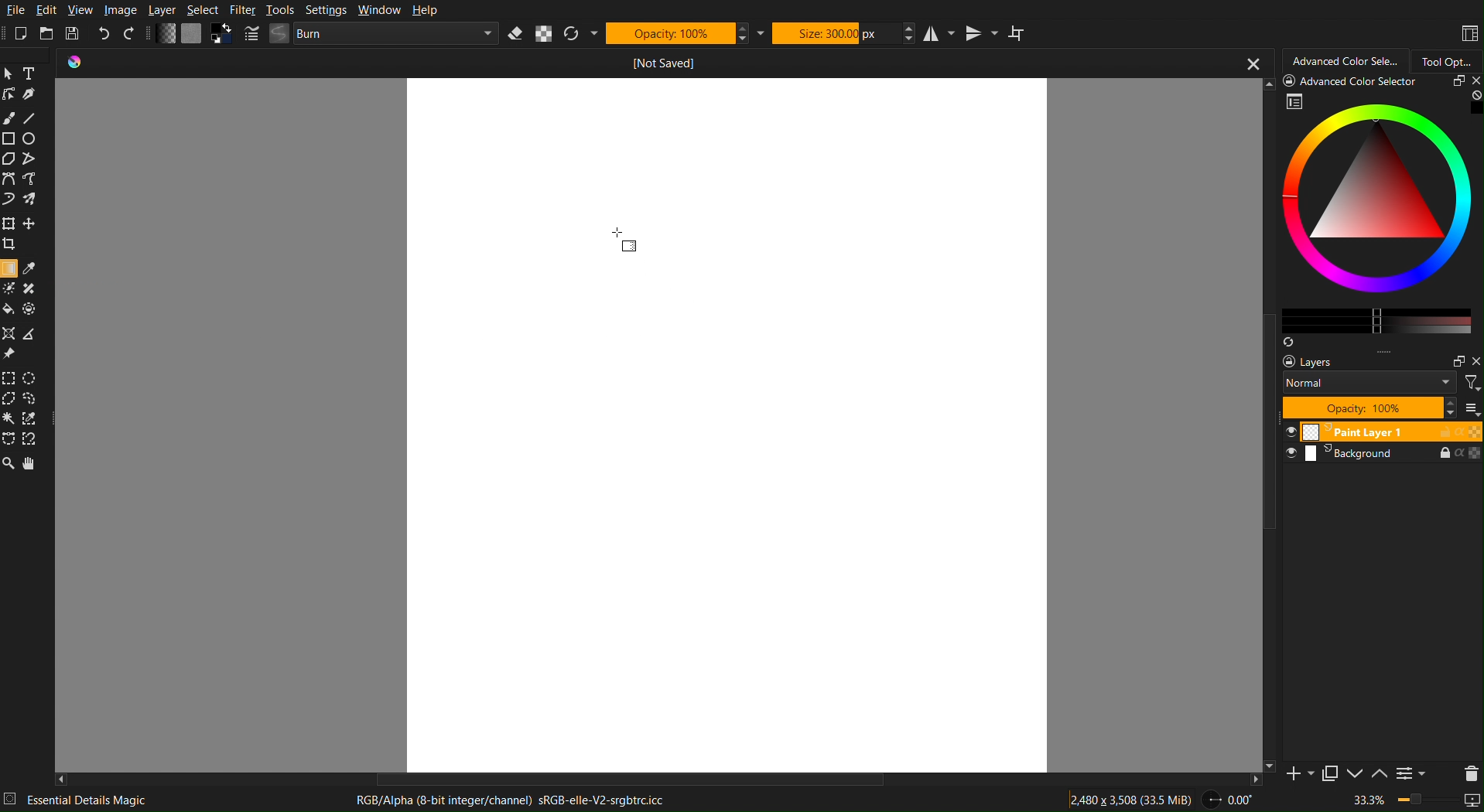  Describe the element at coordinates (23, 232) in the screenshot. I see `Move Tools` at that location.